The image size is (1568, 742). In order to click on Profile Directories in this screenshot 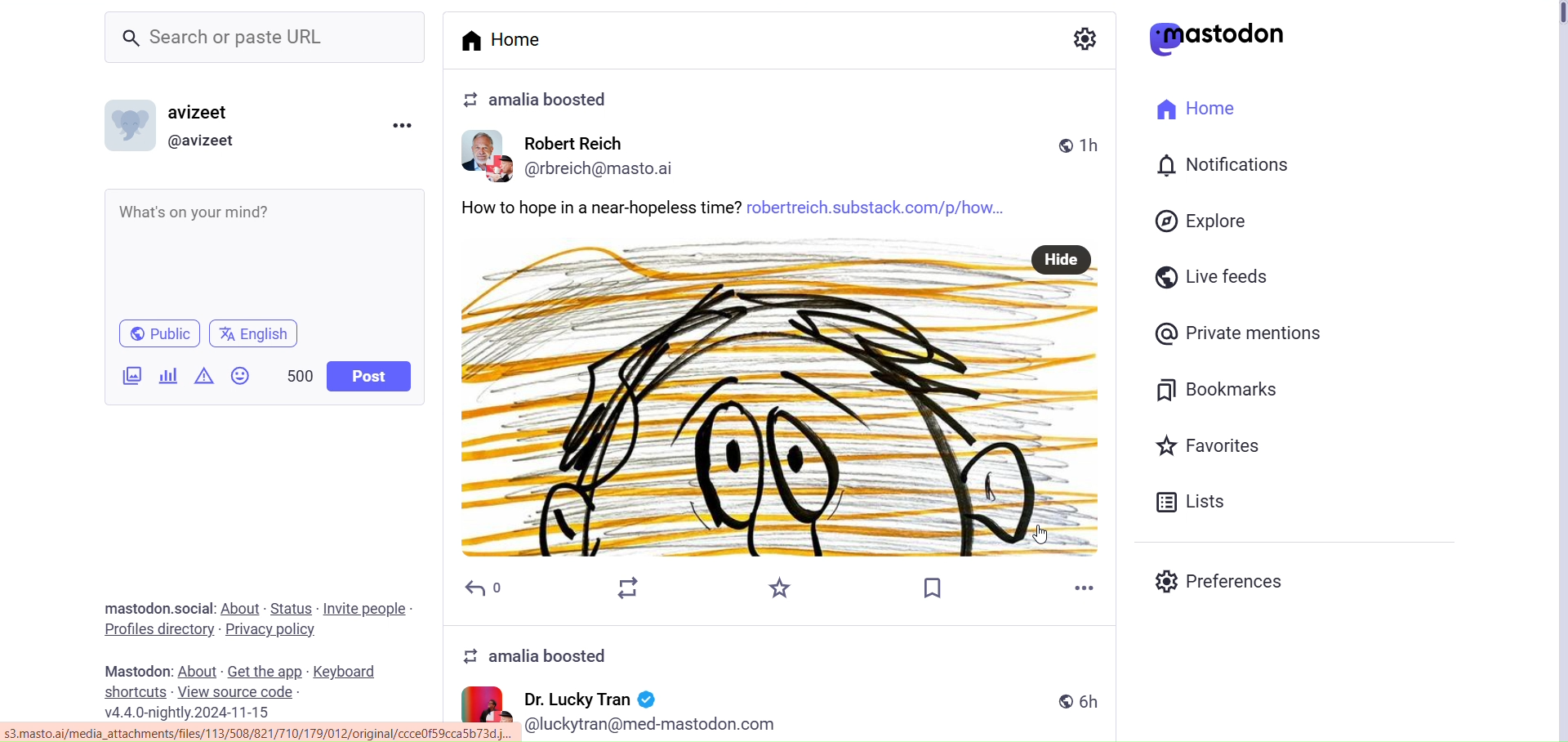, I will do `click(158, 629)`.